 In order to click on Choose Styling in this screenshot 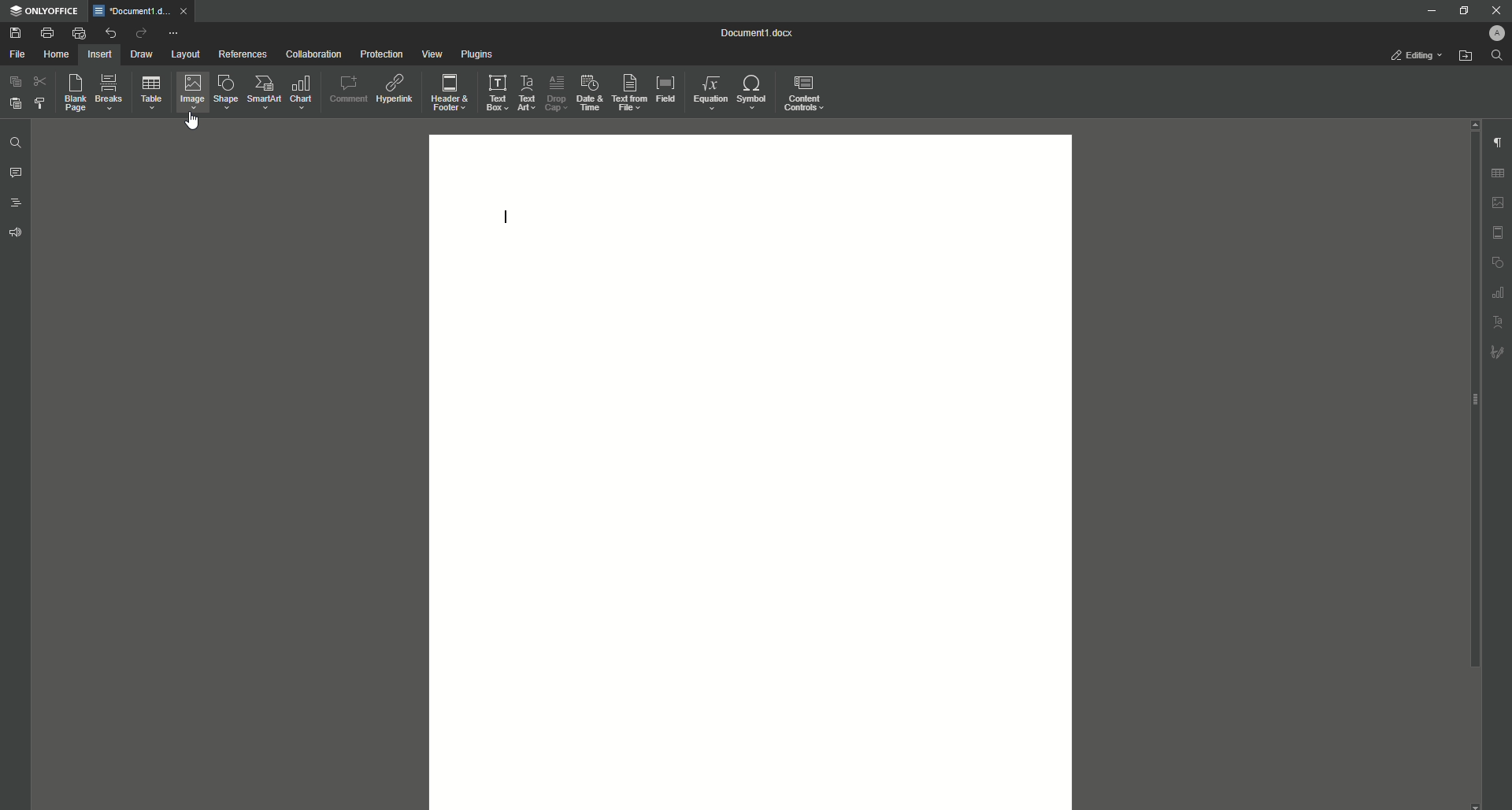, I will do `click(40, 104)`.